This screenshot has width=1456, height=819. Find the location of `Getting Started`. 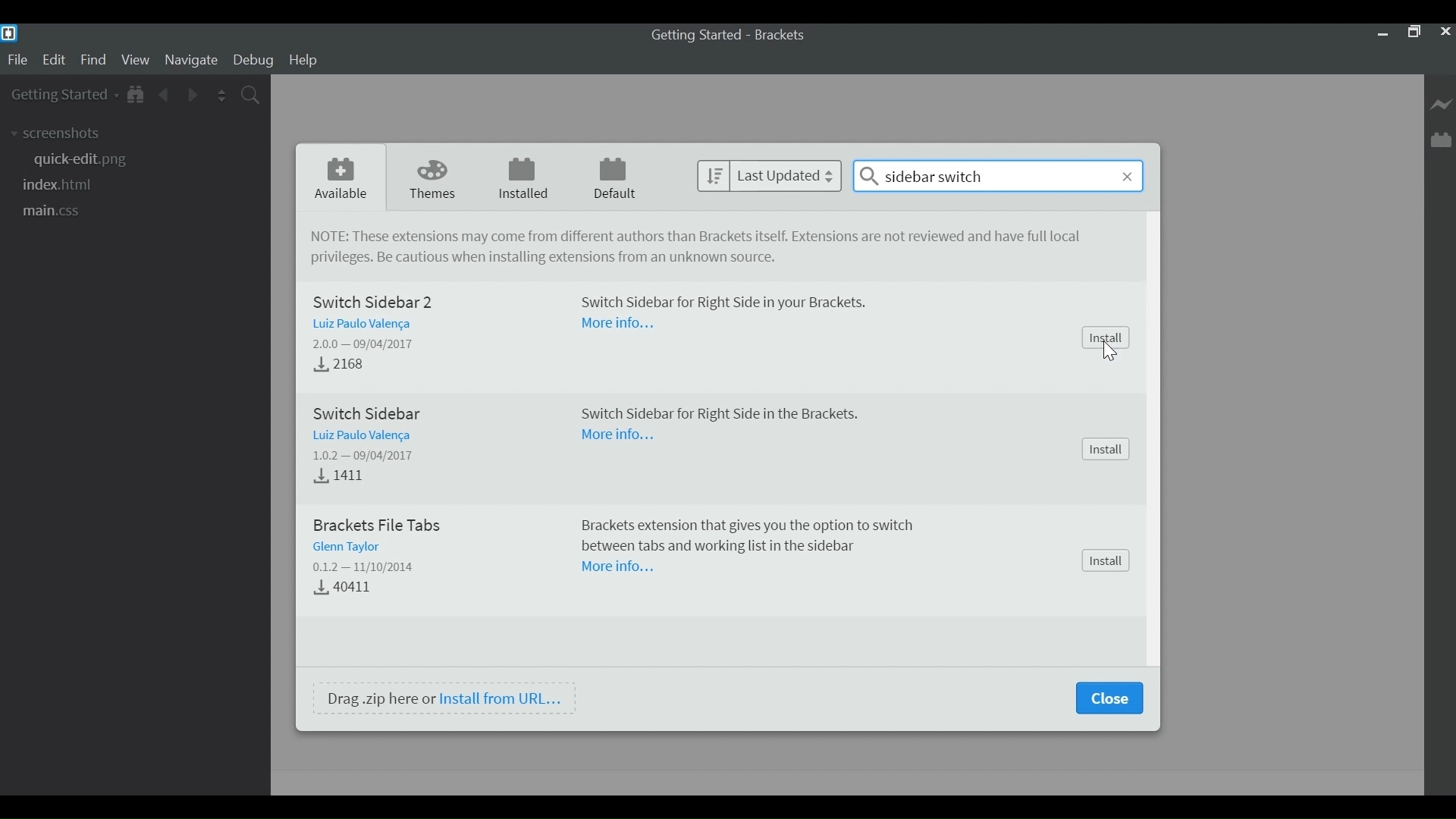

Getting Started is located at coordinates (63, 95).